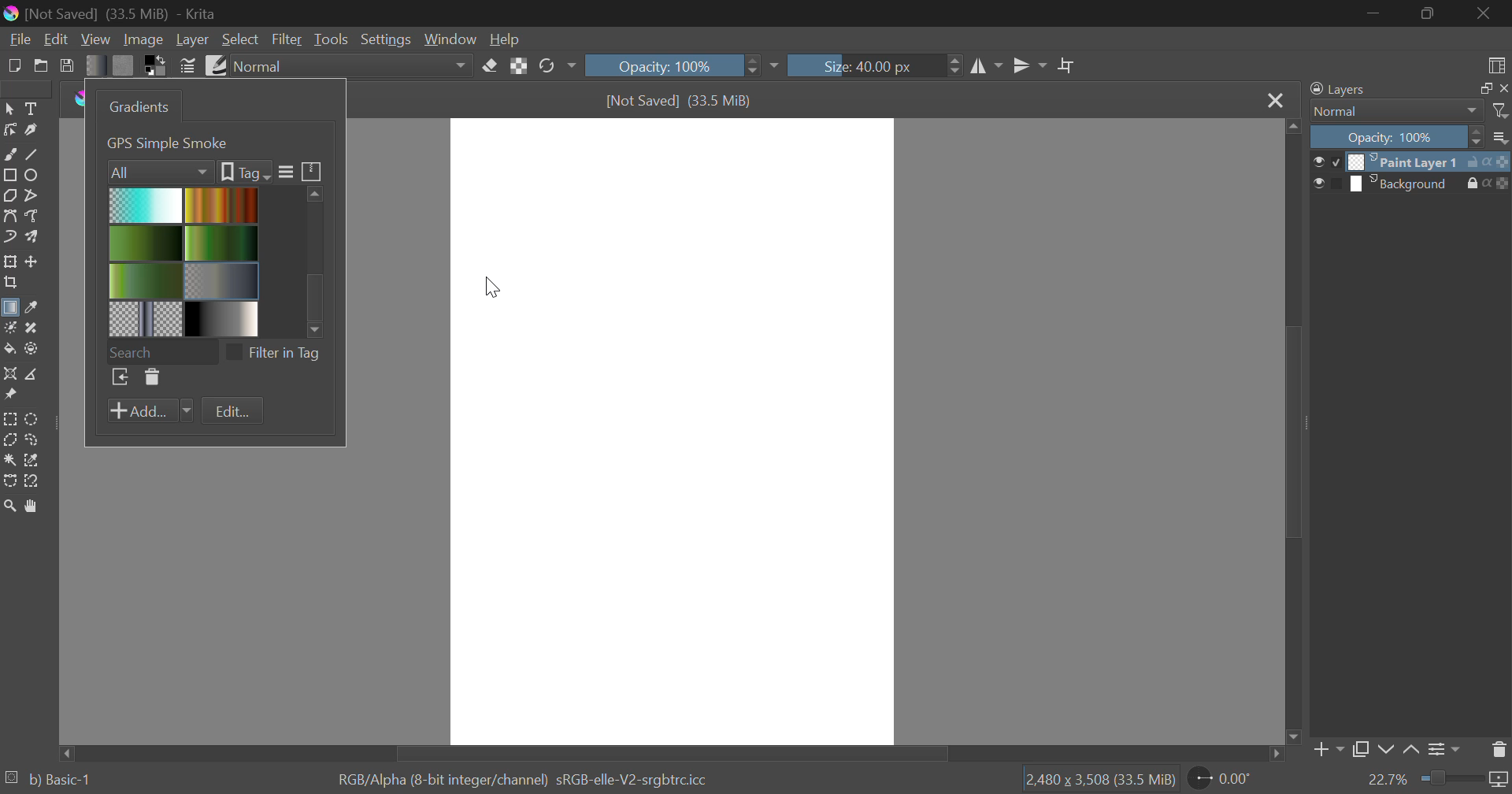 The height and width of the screenshot is (794, 1512). What do you see at coordinates (9, 506) in the screenshot?
I see `Zoom` at bounding box center [9, 506].